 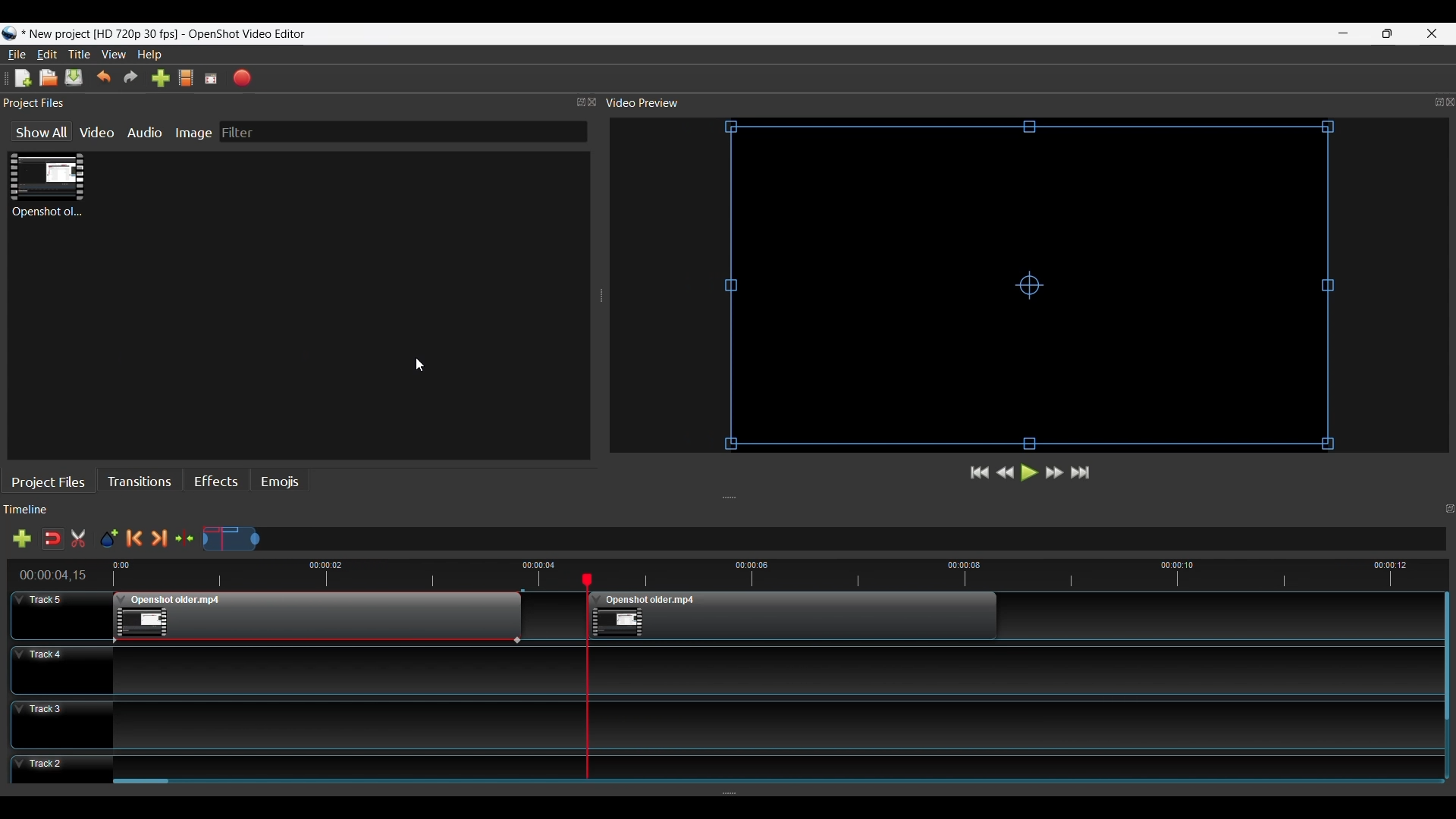 I want to click on Cursor, so click(x=425, y=366).